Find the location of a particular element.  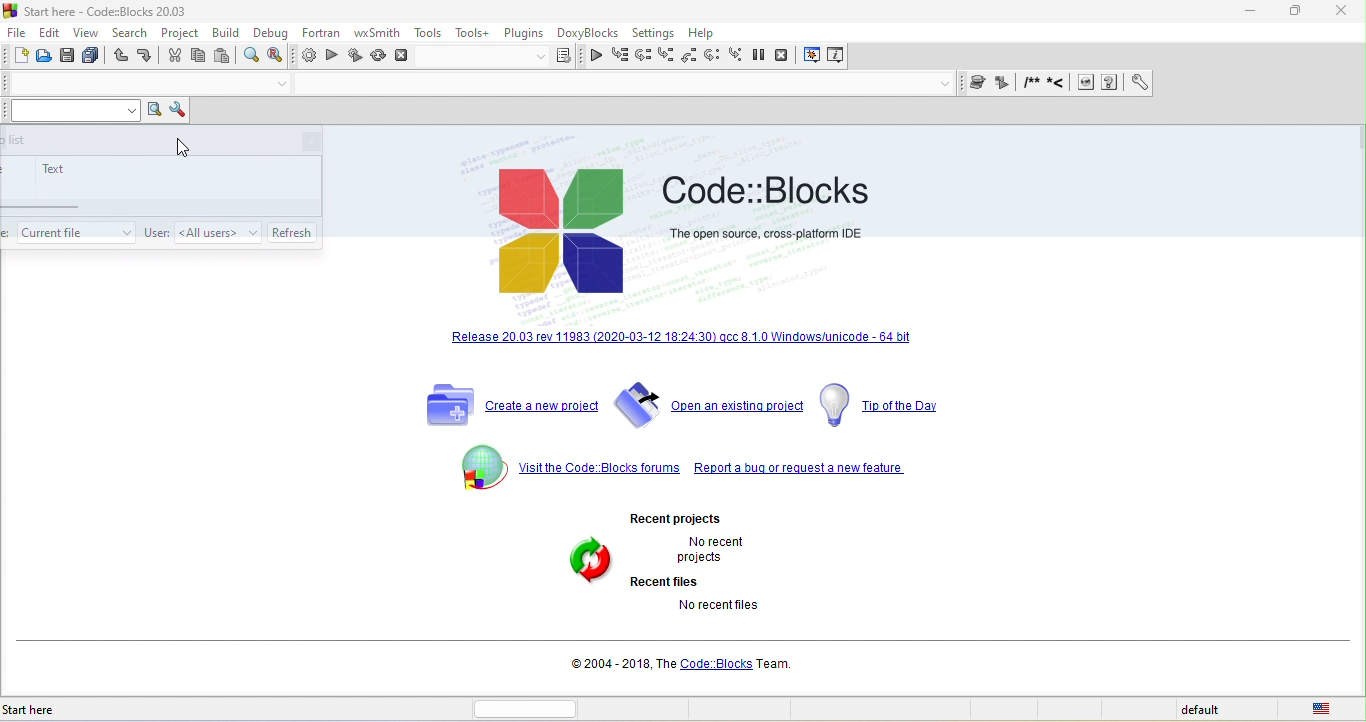

stop debugger is located at coordinates (788, 57).